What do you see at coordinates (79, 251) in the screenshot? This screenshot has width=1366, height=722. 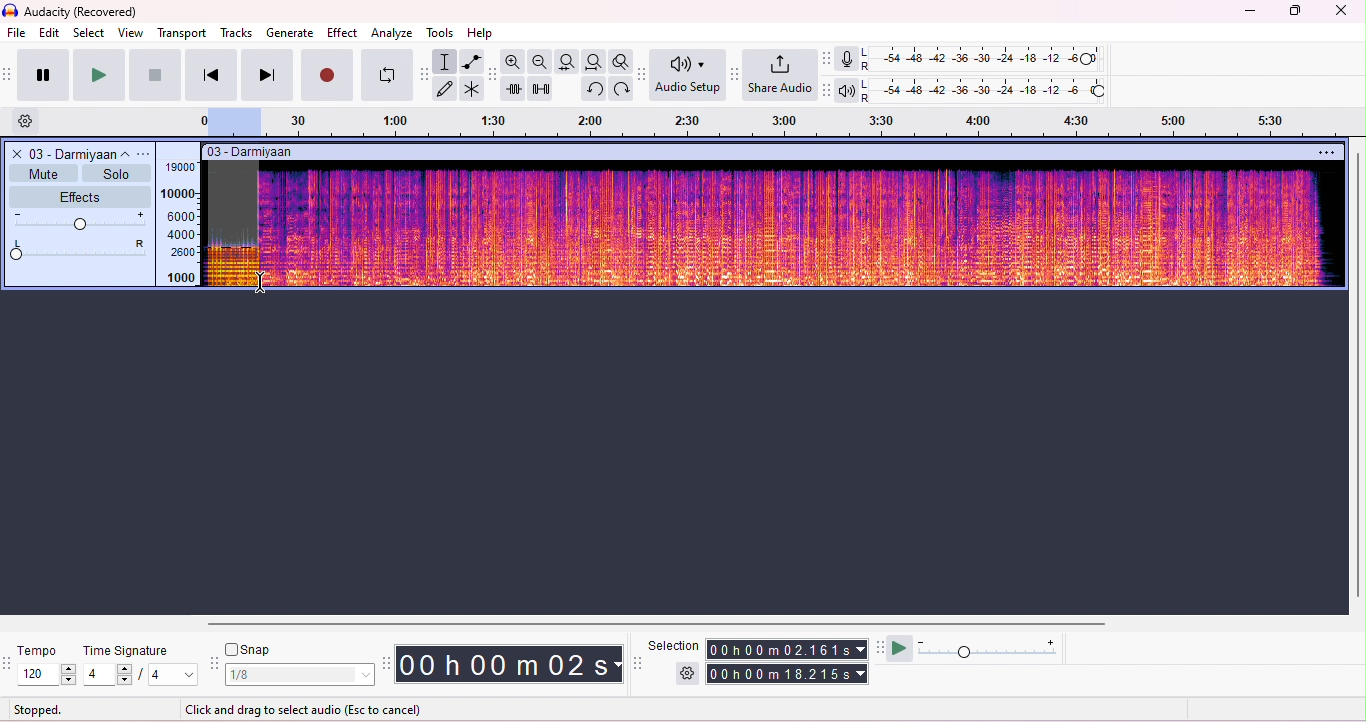 I see `pan` at bounding box center [79, 251].